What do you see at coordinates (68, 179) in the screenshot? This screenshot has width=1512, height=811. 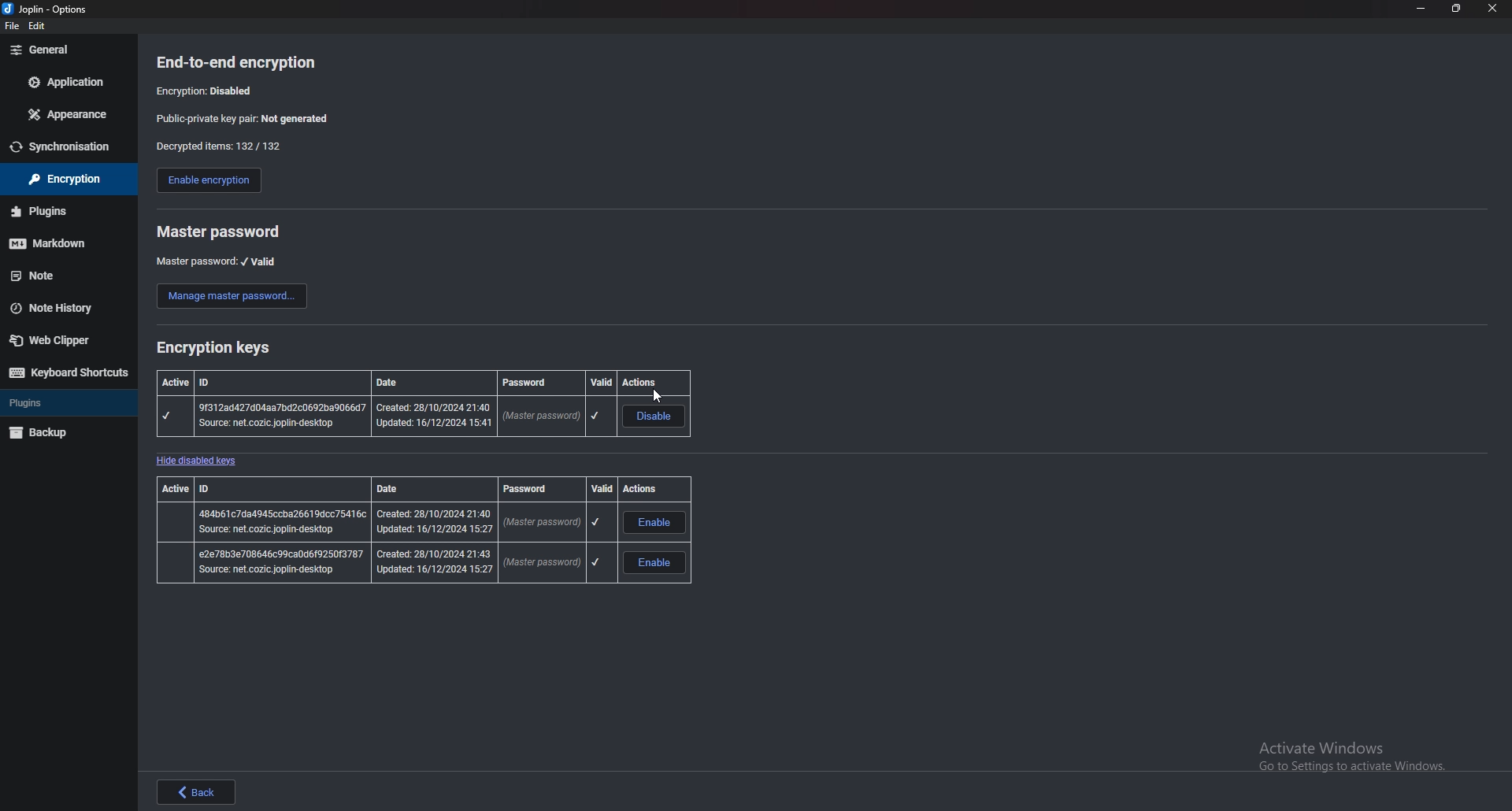 I see `encryption` at bounding box center [68, 179].